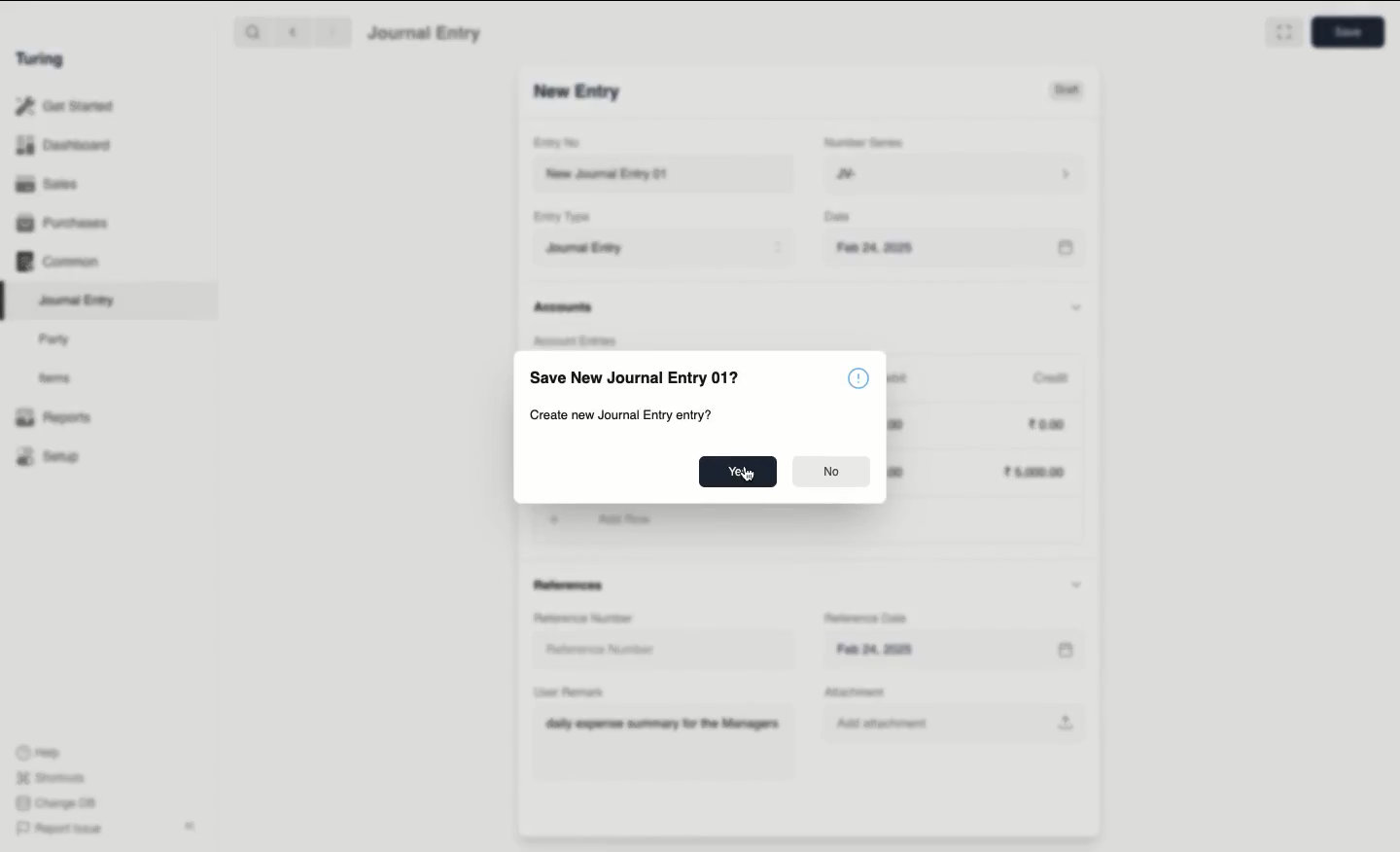 The width and height of the screenshot is (1400, 852). Describe the element at coordinates (252, 31) in the screenshot. I see `Search` at that location.